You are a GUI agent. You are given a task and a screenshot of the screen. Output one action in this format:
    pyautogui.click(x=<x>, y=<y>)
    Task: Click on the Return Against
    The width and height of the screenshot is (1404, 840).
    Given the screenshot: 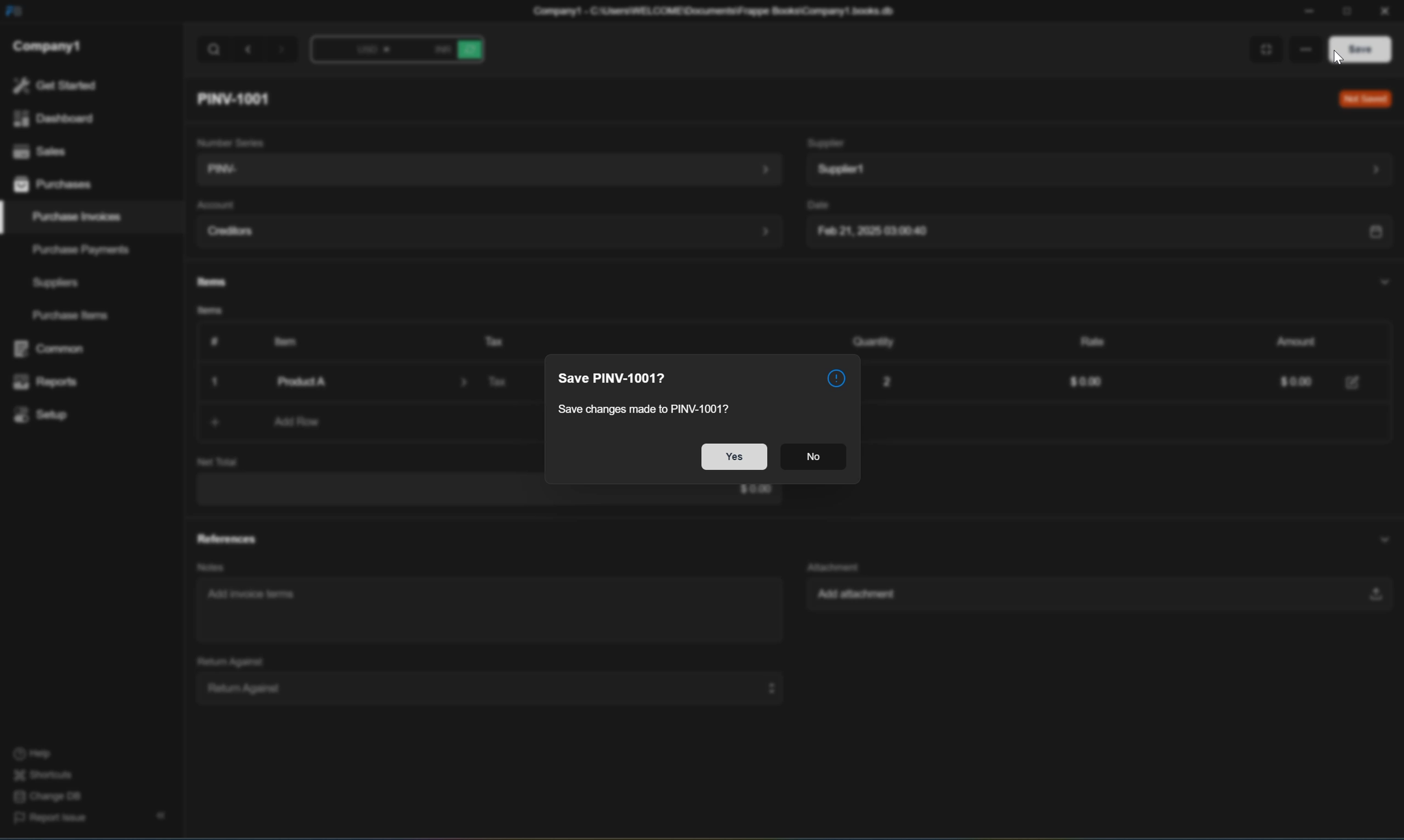 What is the action you would take?
    pyautogui.click(x=224, y=661)
    